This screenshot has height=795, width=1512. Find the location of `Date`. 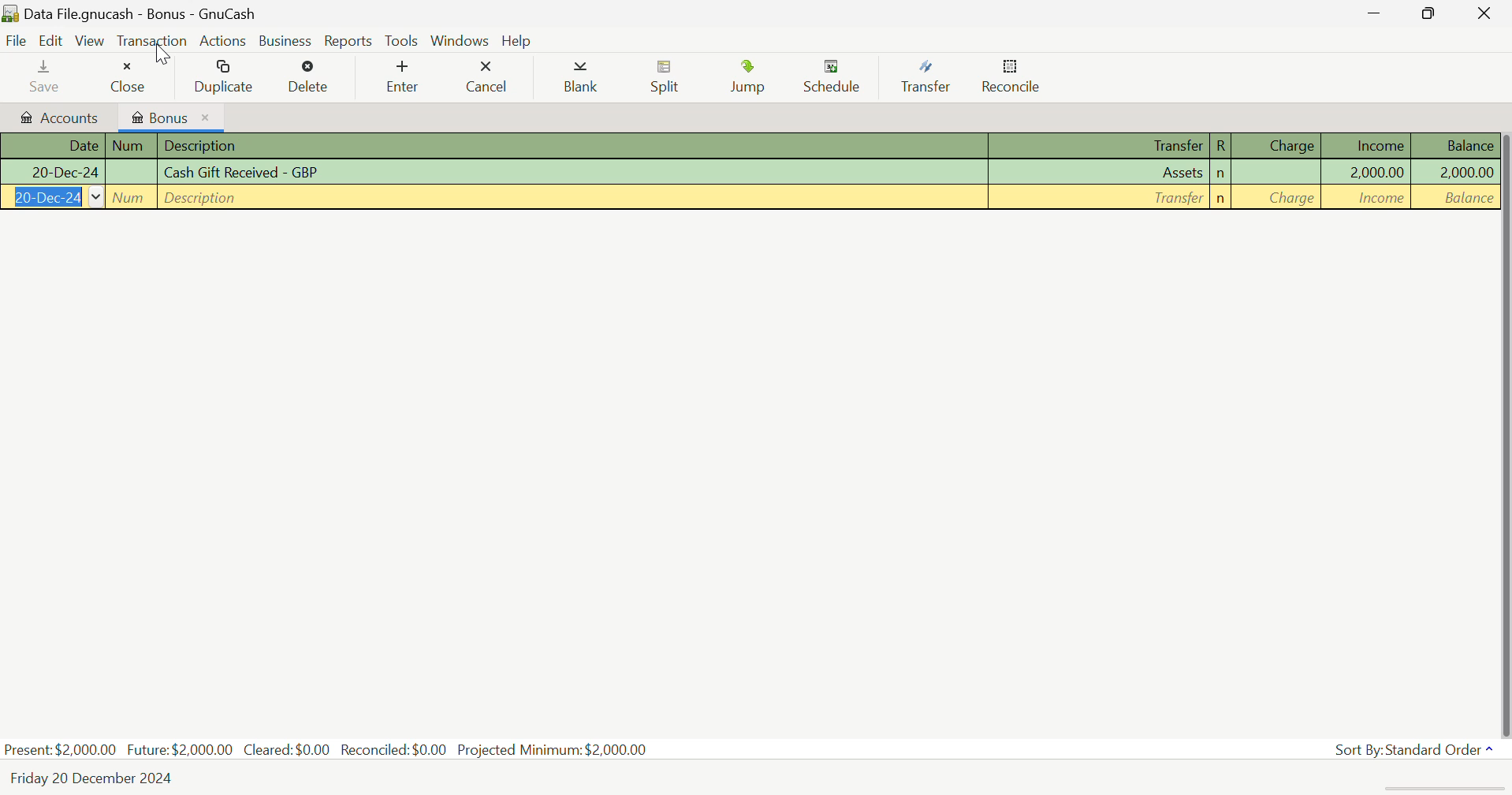

Date is located at coordinates (52, 174).